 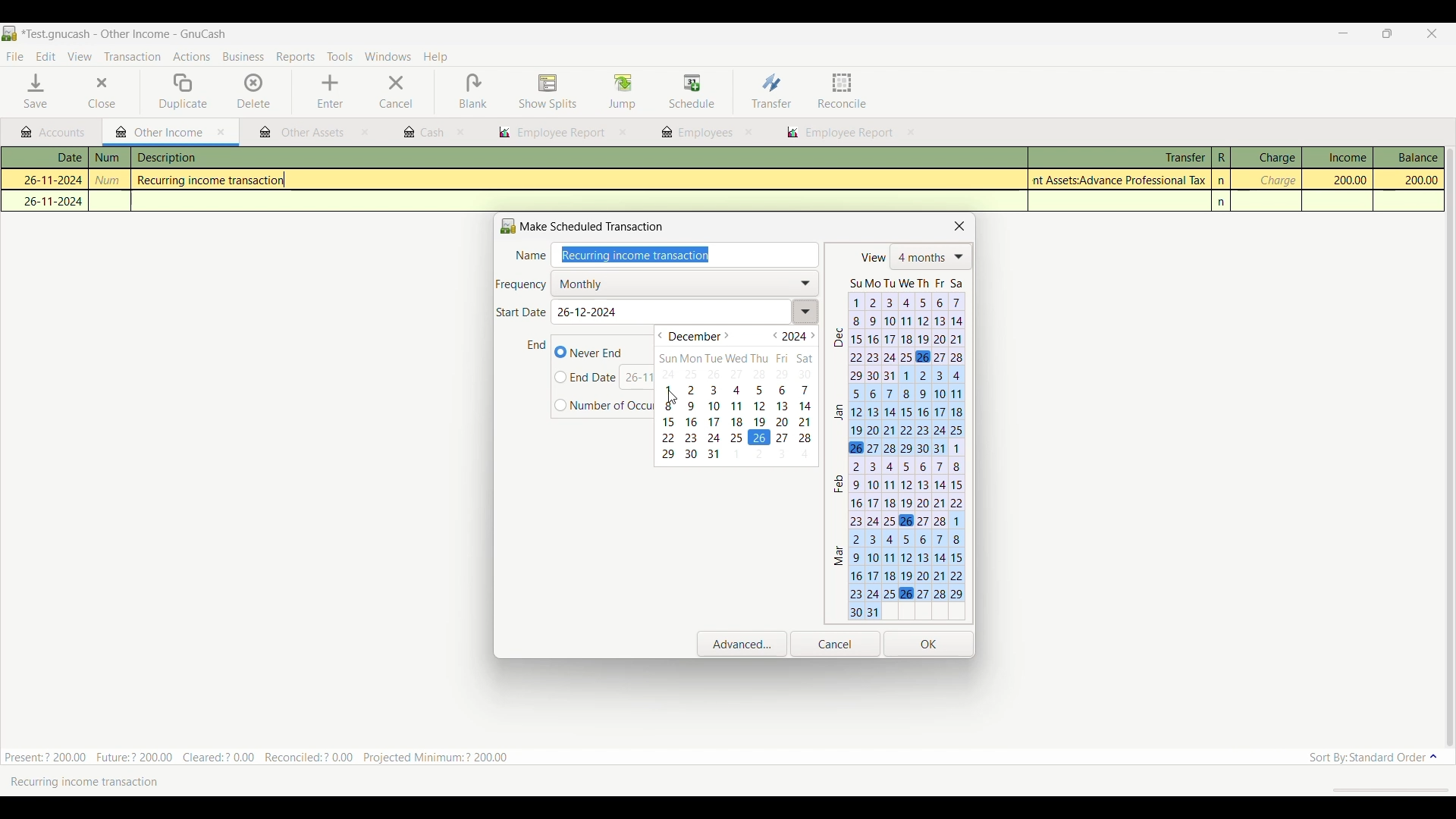 I want to click on Date, so click(x=53, y=158).